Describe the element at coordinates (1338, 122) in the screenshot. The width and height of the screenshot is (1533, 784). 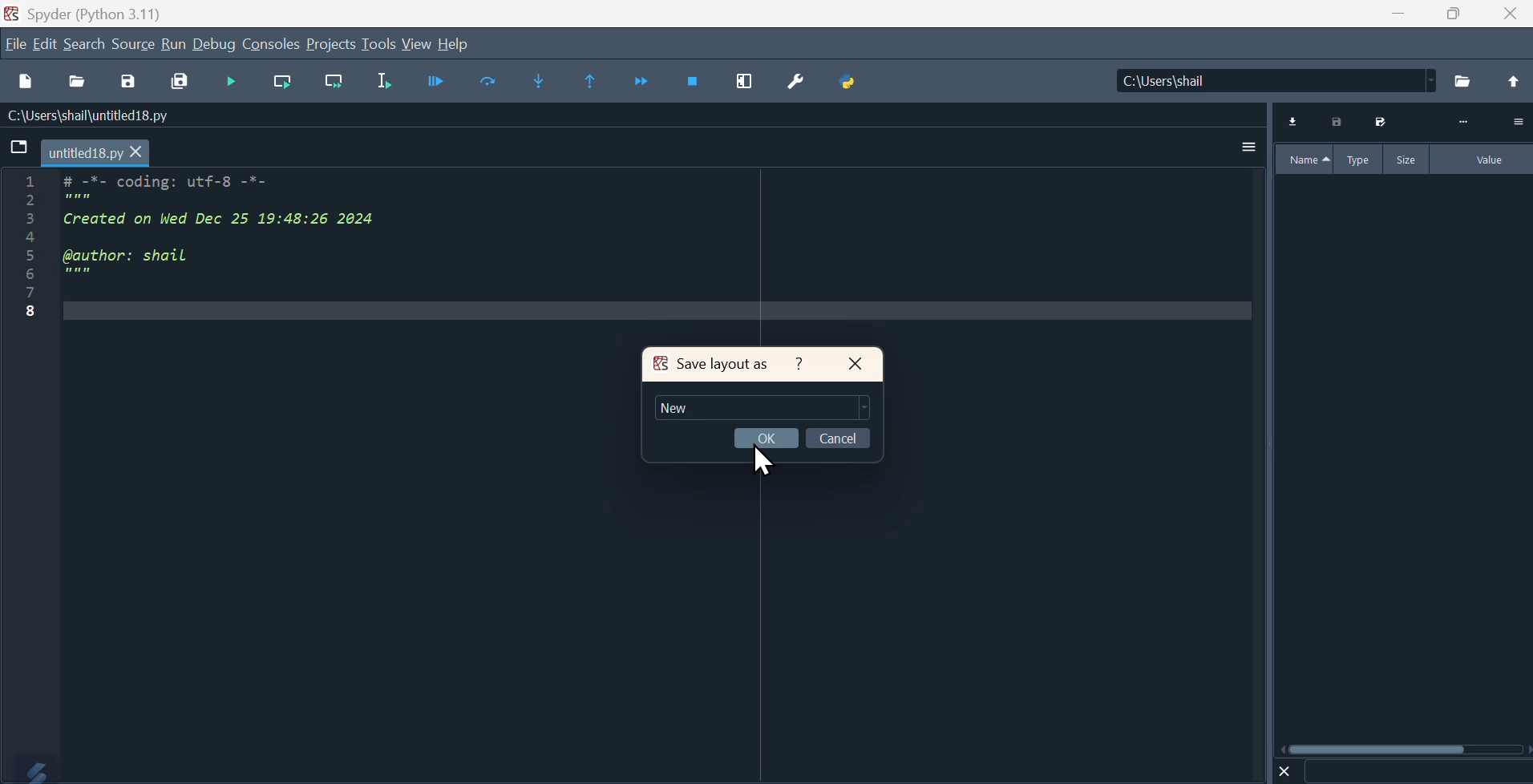
I see `Print` at that location.